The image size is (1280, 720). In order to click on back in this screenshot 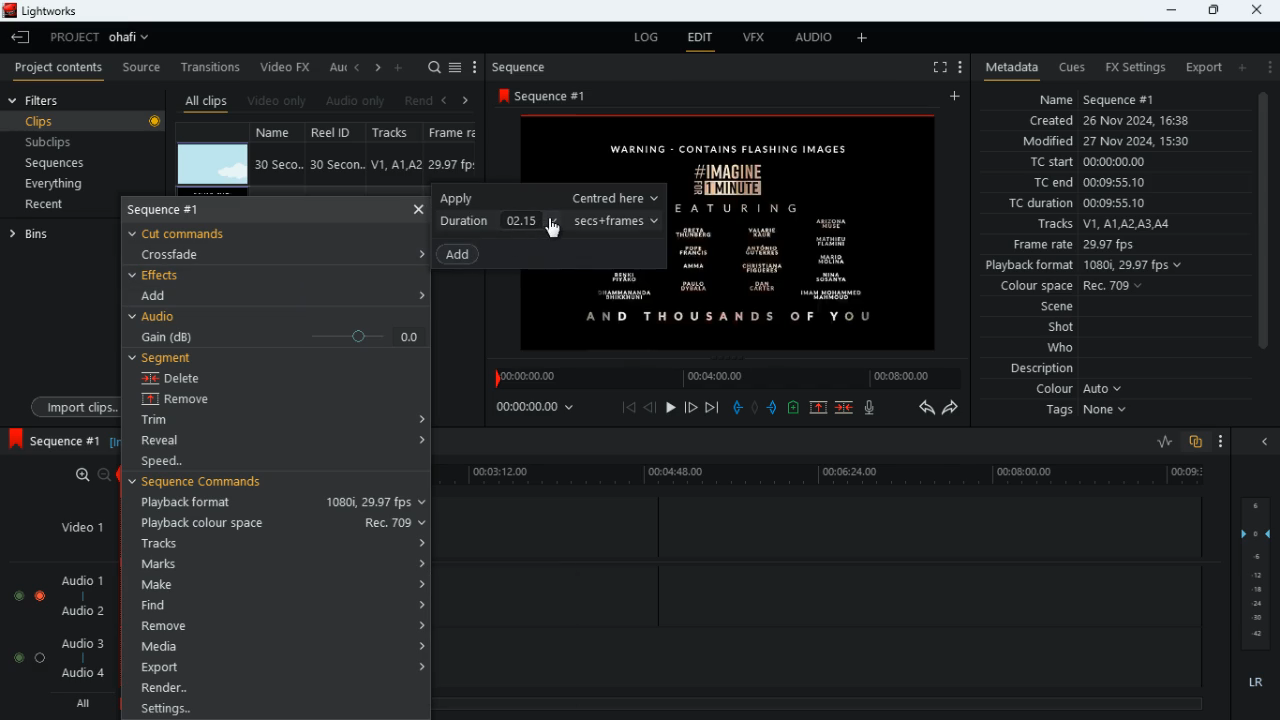, I will do `click(650, 408)`.